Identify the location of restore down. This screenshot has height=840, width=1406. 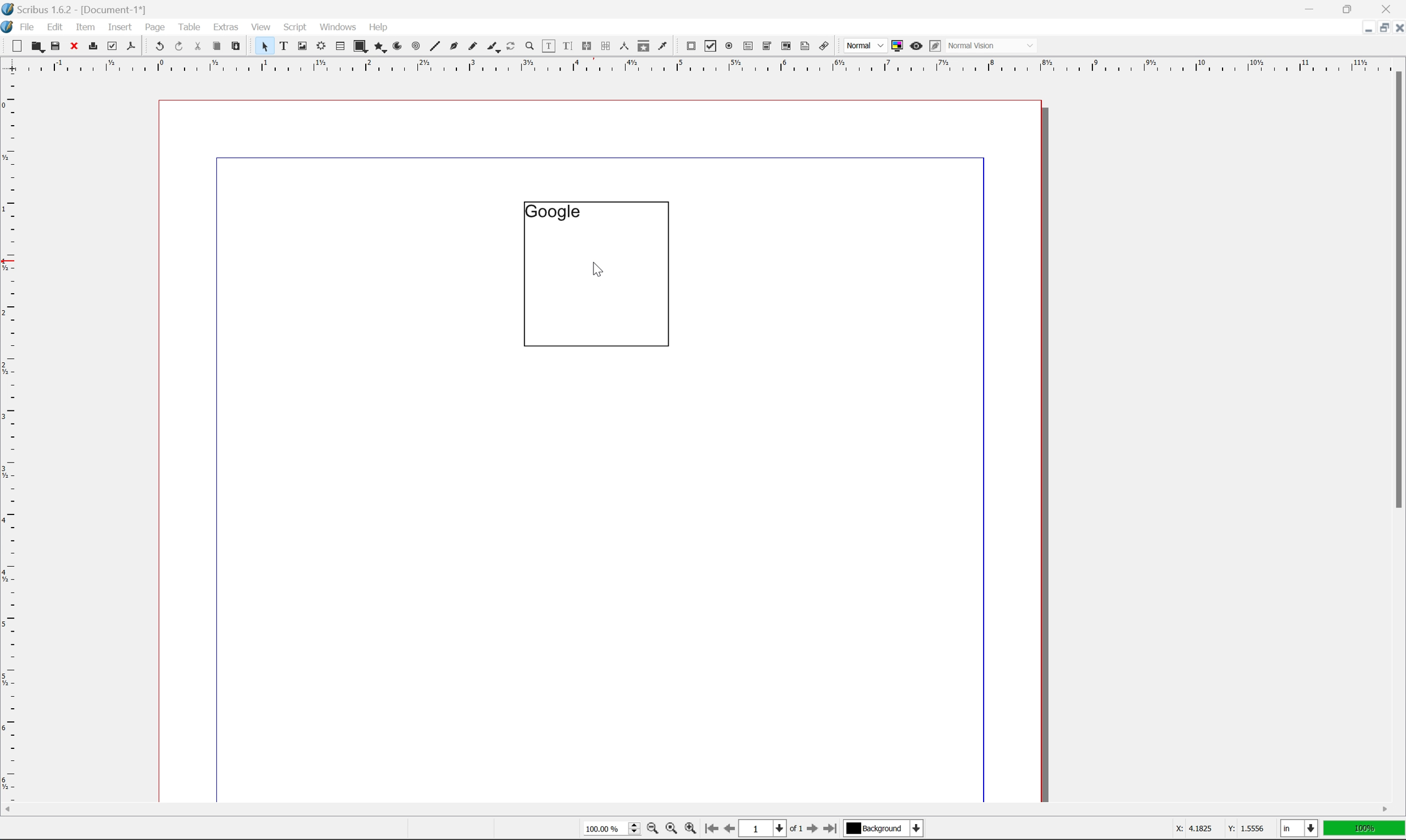
(1351, 8).